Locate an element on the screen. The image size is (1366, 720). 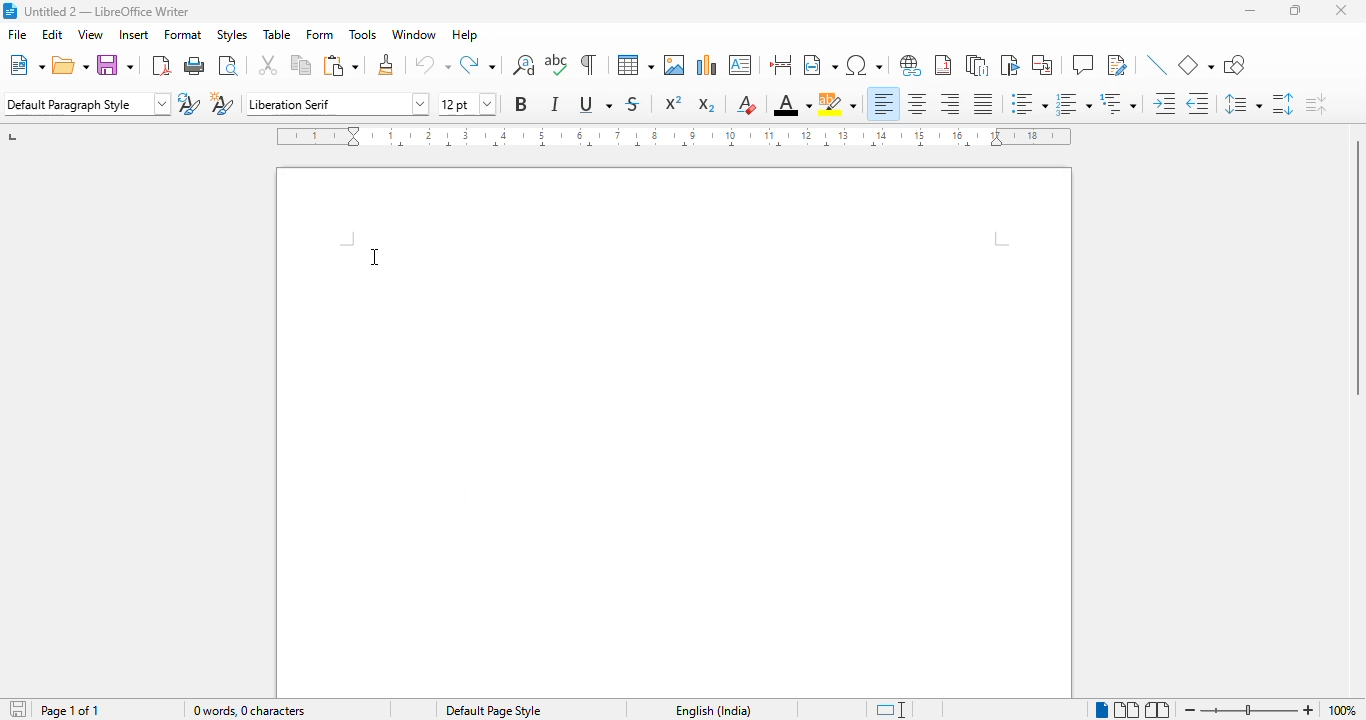
spelling is located at coordinates (557, 64).